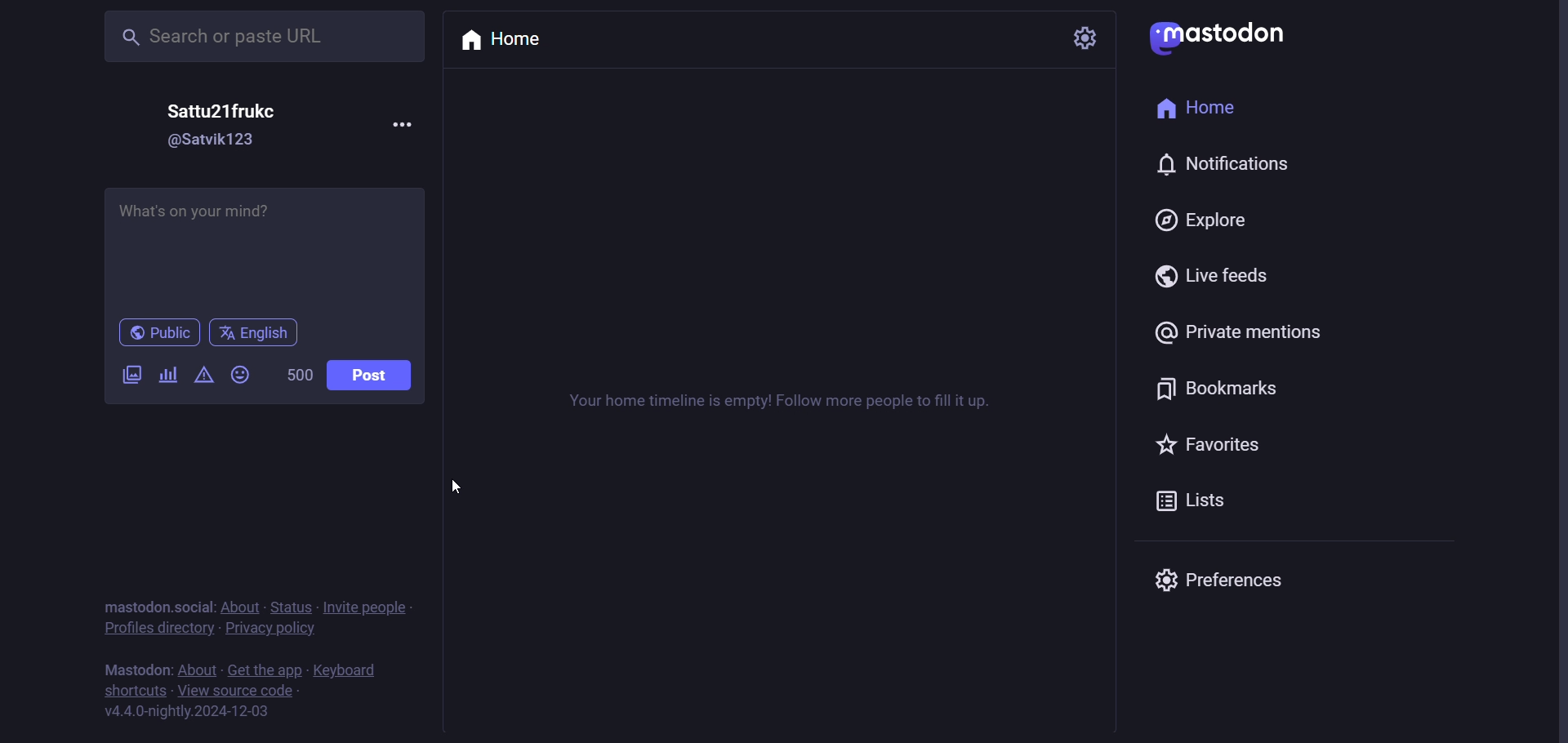 This screenshot has width=1568, height=743. I want to click on notification, so click(1226, 167).